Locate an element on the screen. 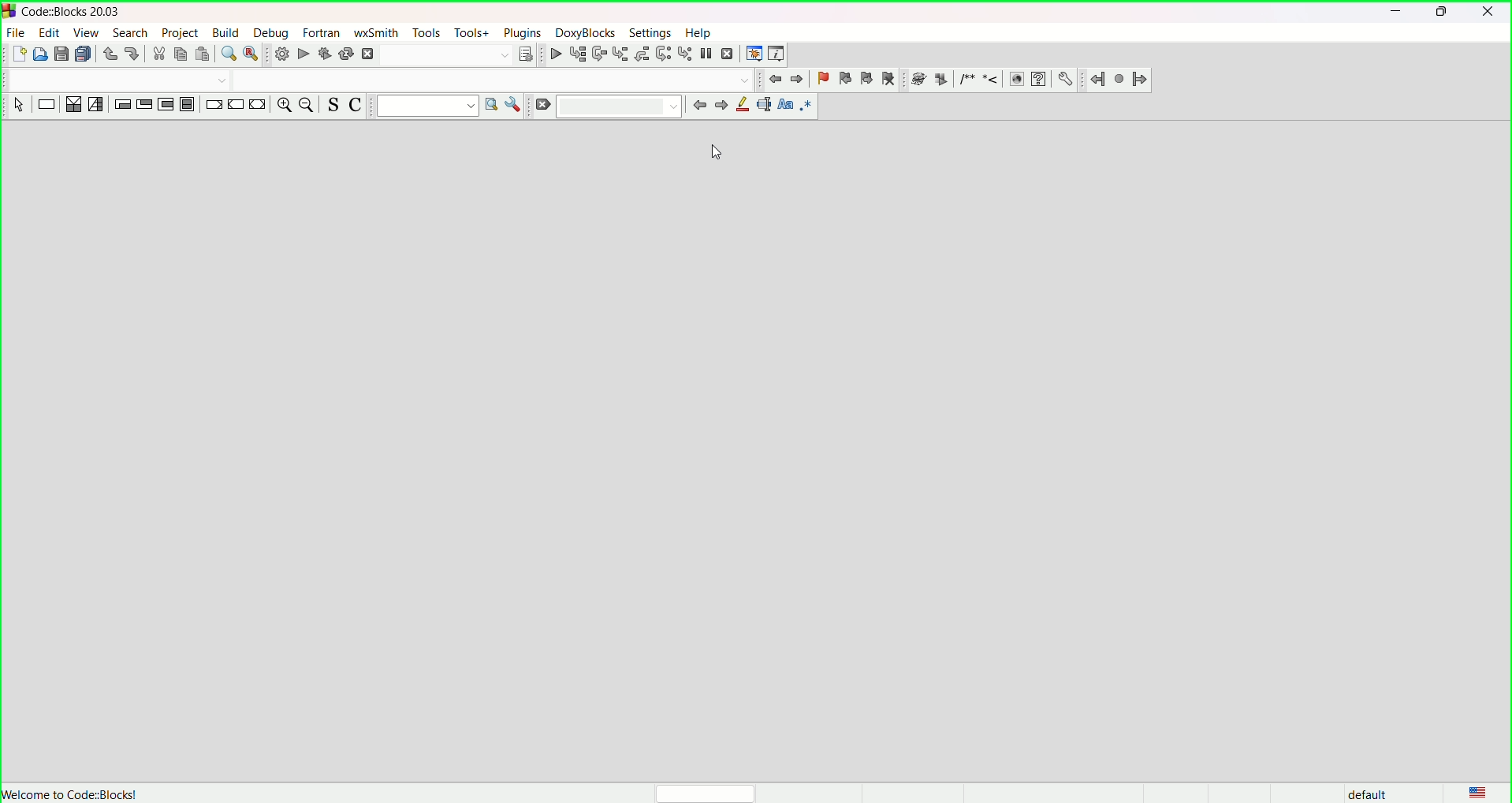 Image resolution: width=1512 pixels, height=803 pixels. textbox is located at coordinates (620, 107).